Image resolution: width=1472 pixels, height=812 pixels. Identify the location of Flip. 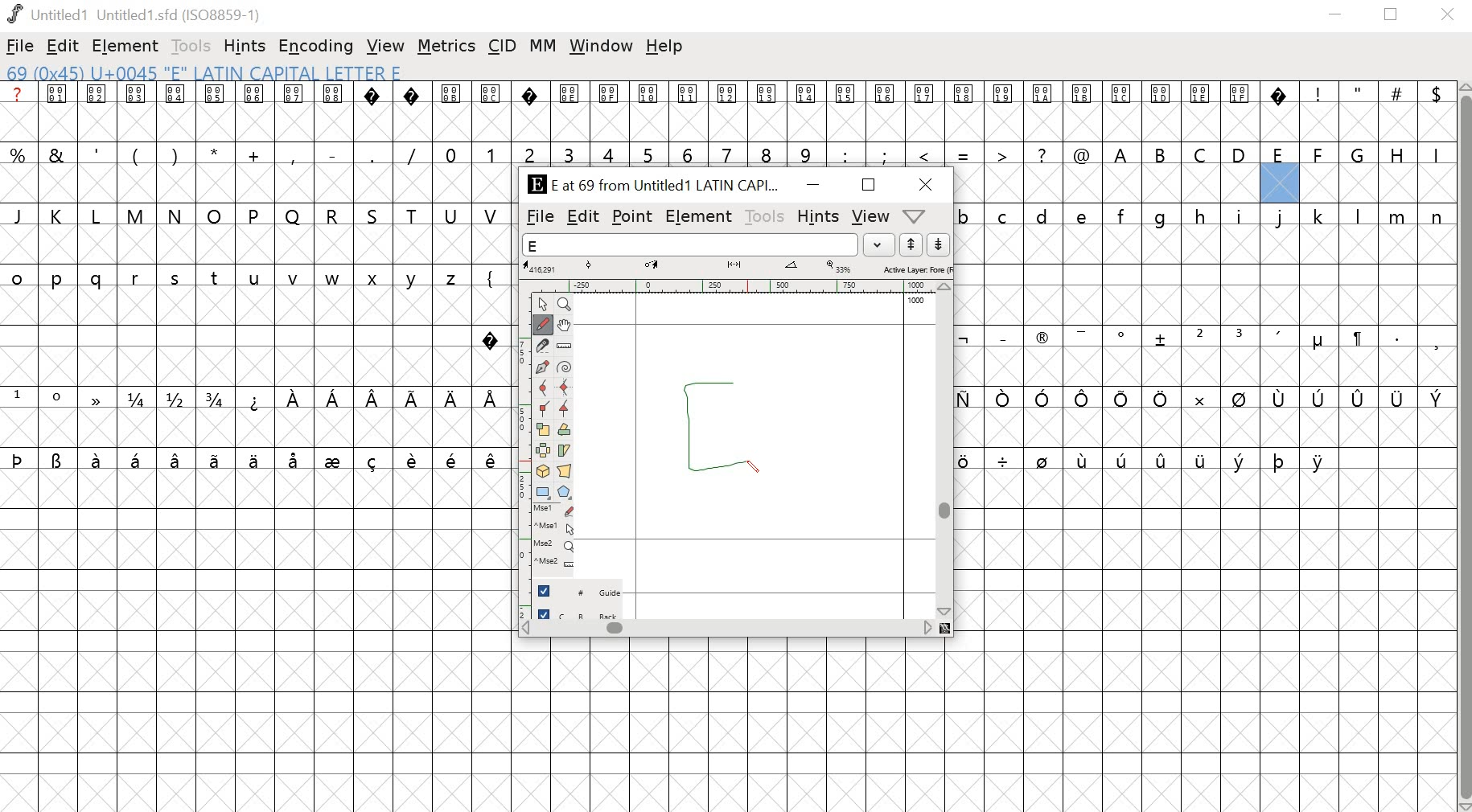
(543, 451).